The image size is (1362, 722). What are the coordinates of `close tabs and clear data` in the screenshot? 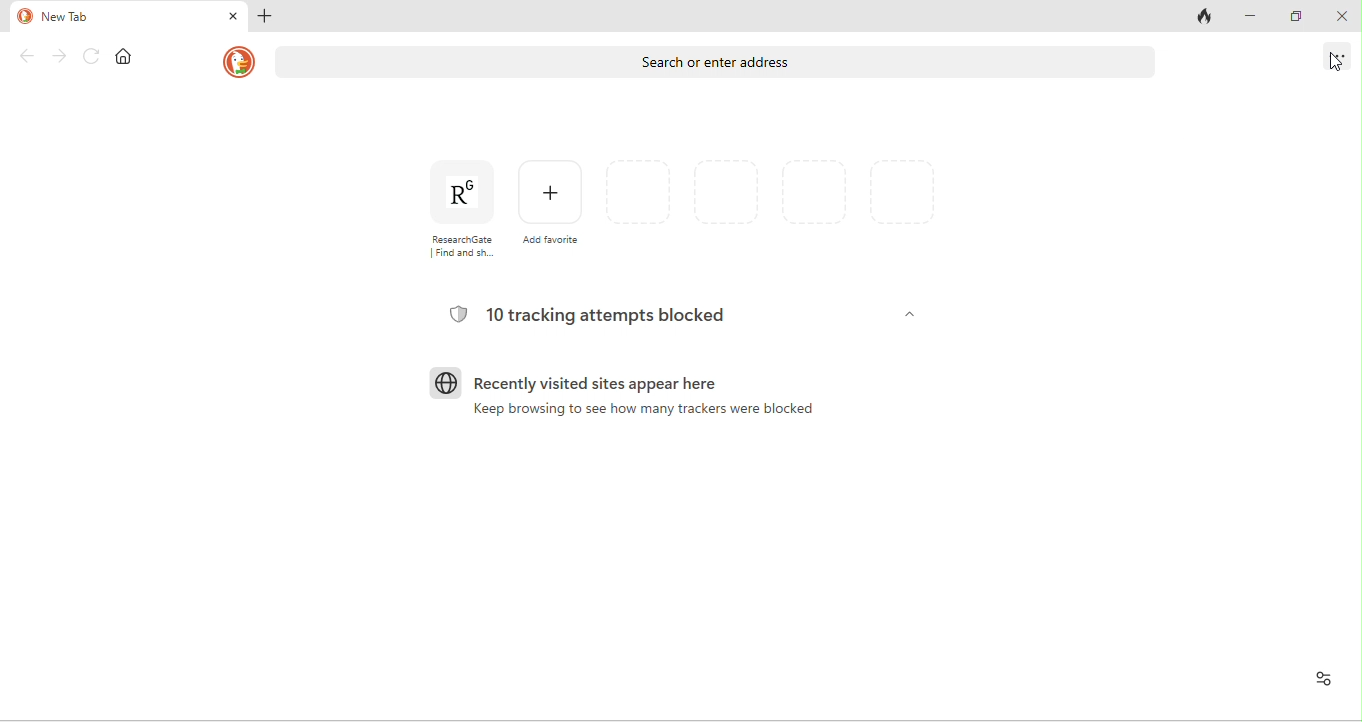 It's located at (1206, 17).